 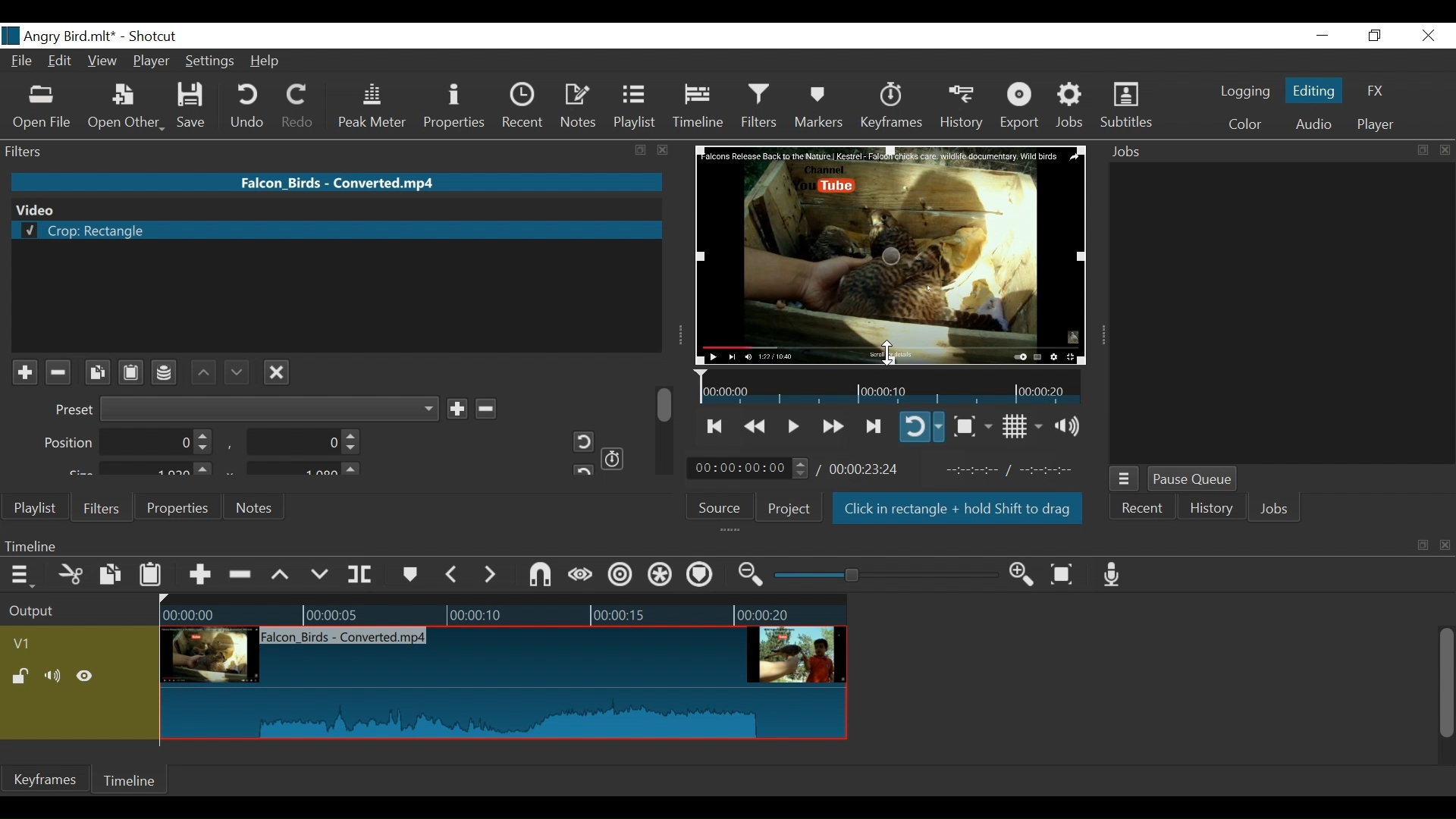 What do you see at coordinates (336, 231) in the screenshot?
I see `Crop Rectangle` at bounding box center [336, 231].